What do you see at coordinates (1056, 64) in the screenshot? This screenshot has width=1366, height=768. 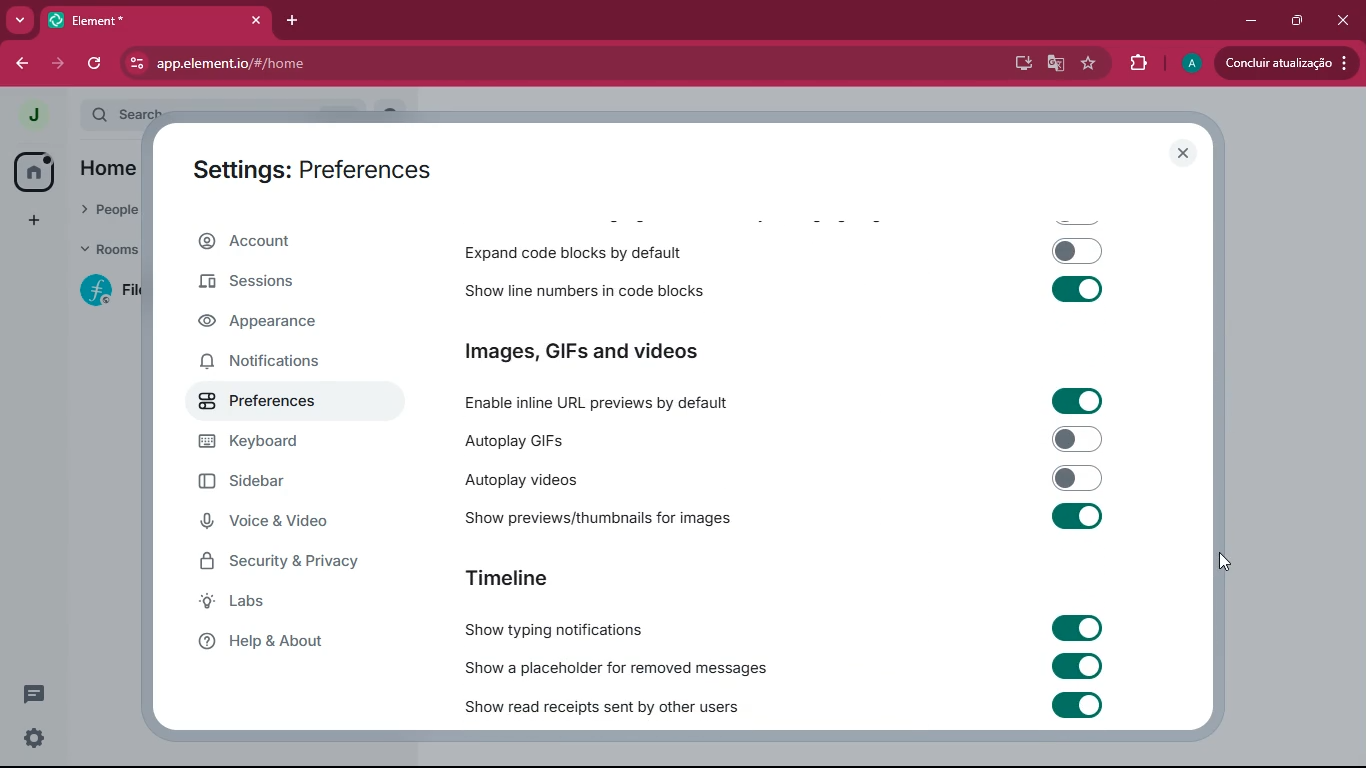 I see `google translate` at bounding box center [1056, 64].